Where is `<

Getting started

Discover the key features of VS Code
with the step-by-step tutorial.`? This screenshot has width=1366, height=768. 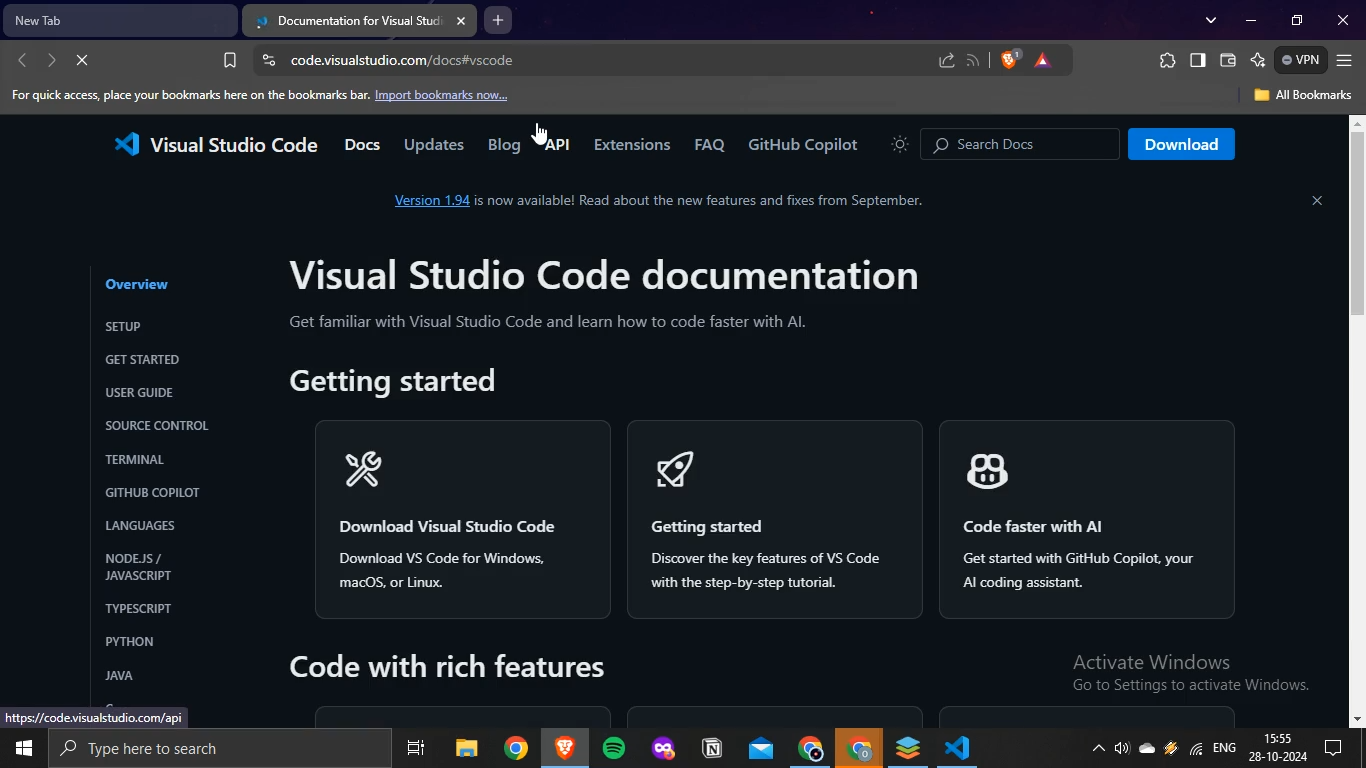
<

Getting started

Discover the key features of VS Code
with the step-by-step tutorial. is located at coordinates (773, 519).